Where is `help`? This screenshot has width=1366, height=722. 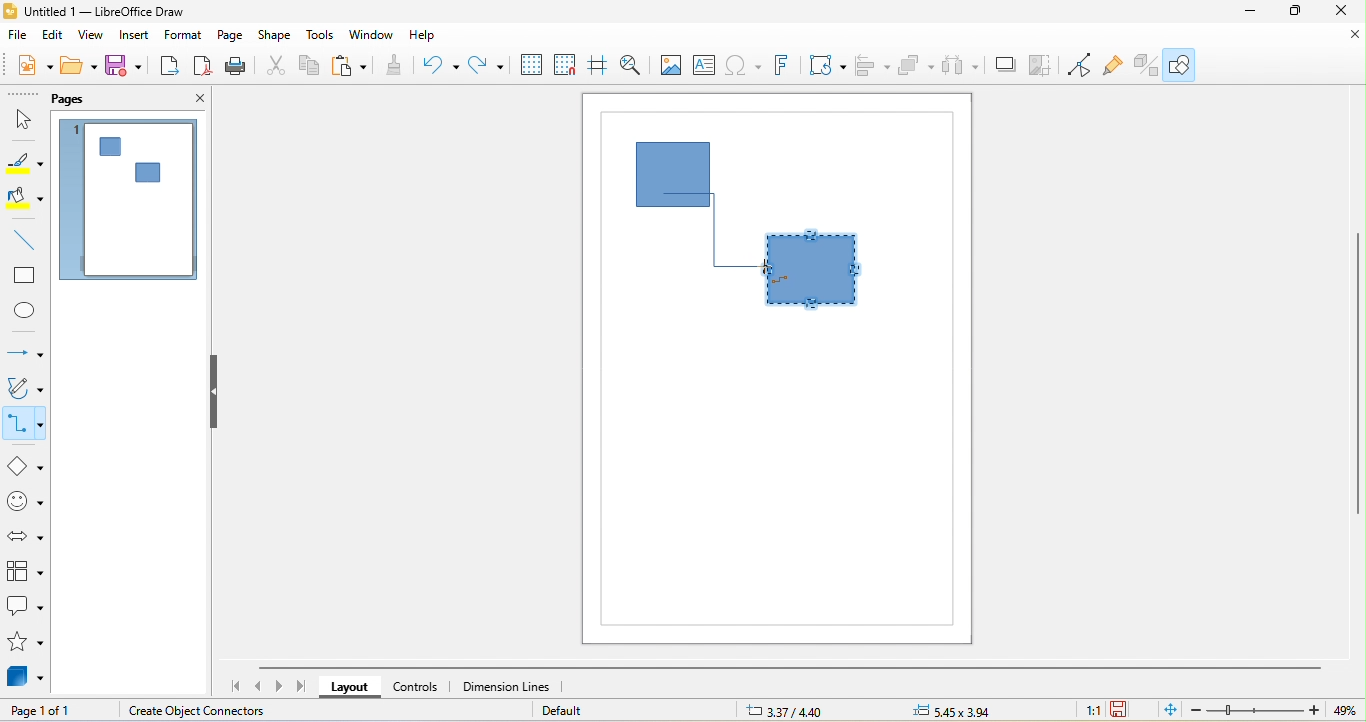
help is located at coordinates (425, 36).